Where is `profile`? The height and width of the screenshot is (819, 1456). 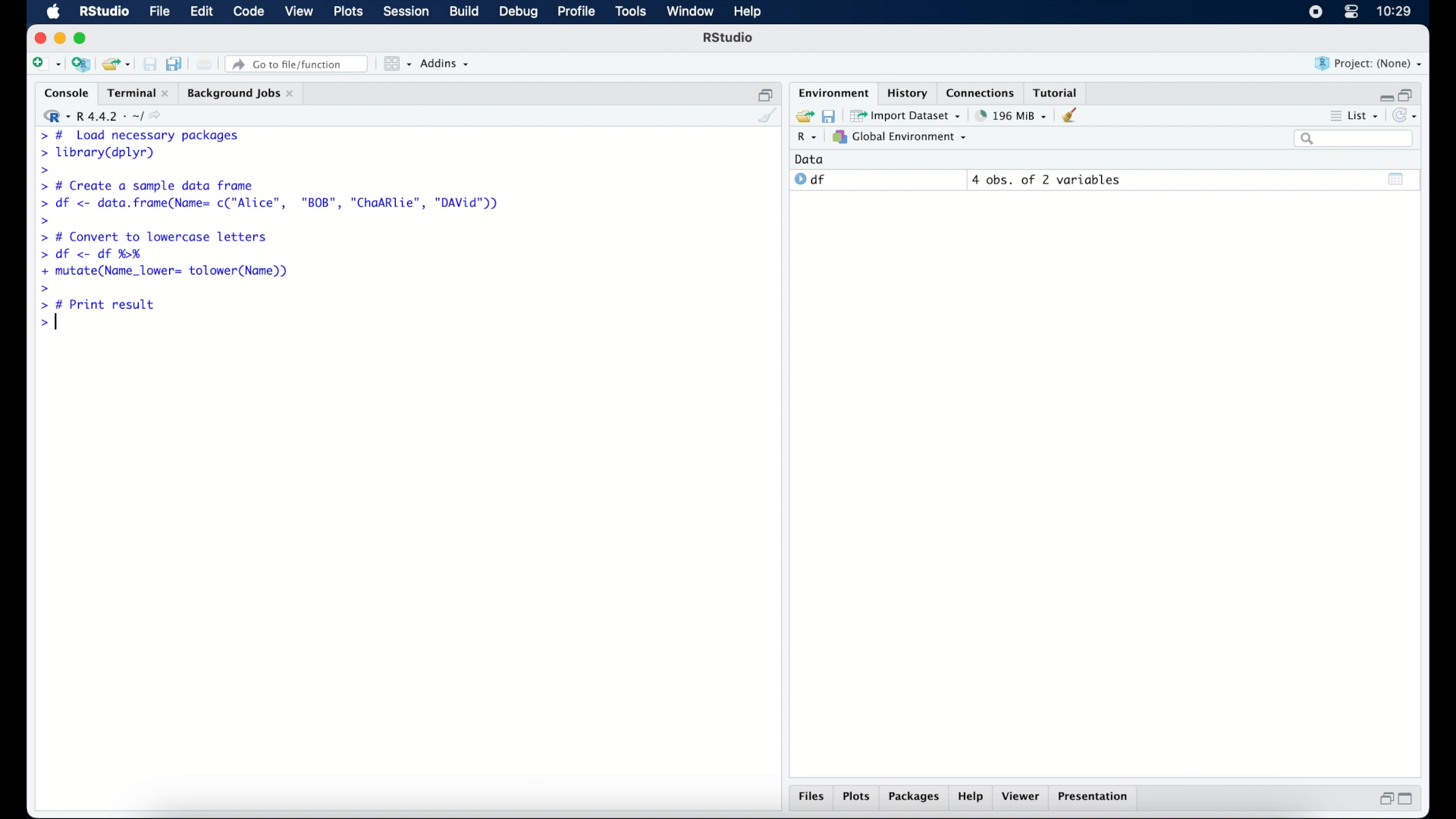
profile is located at coordinates (576, 12).